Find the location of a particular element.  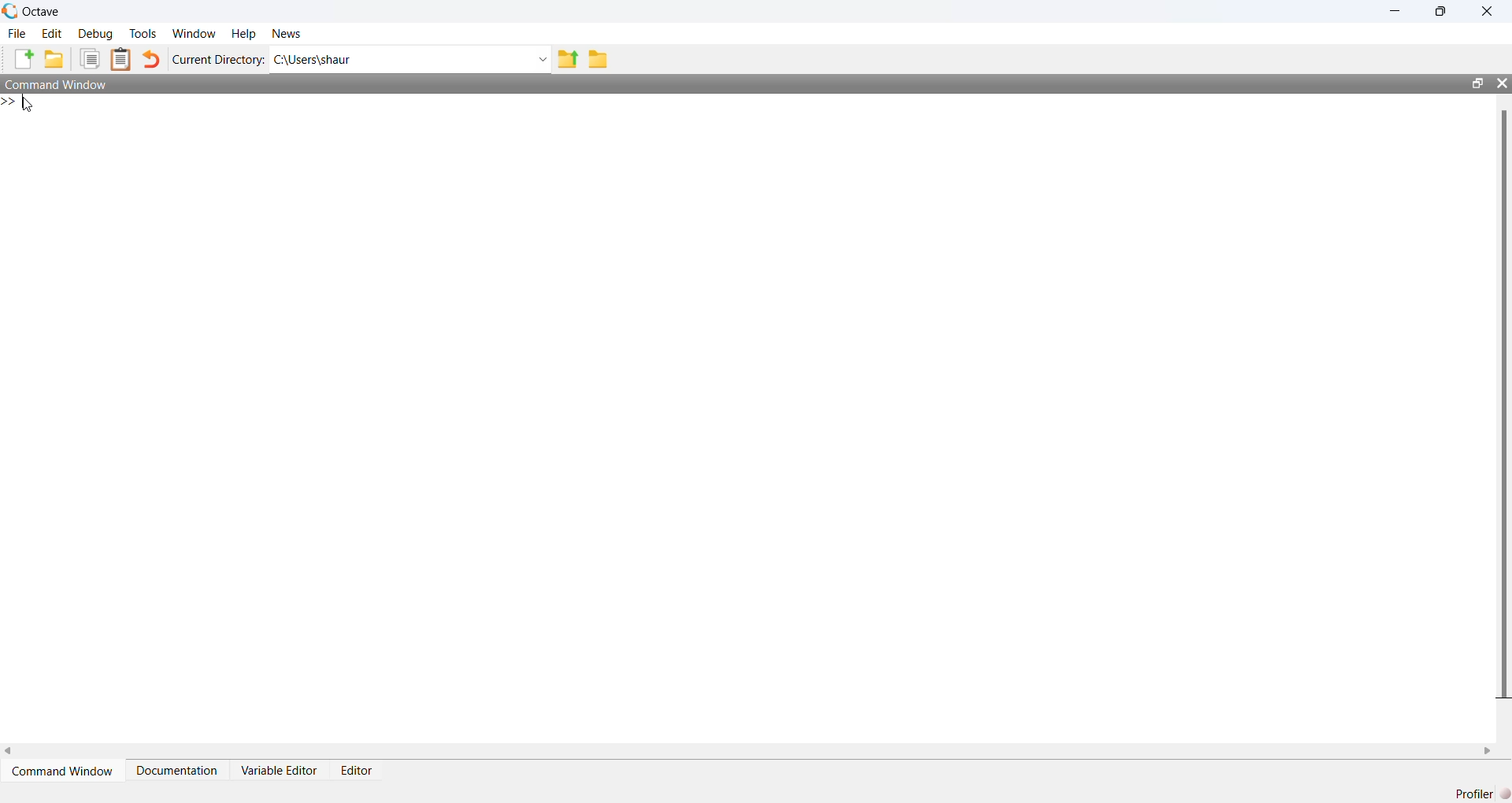

Command Window is located at coordinates (65, 771).